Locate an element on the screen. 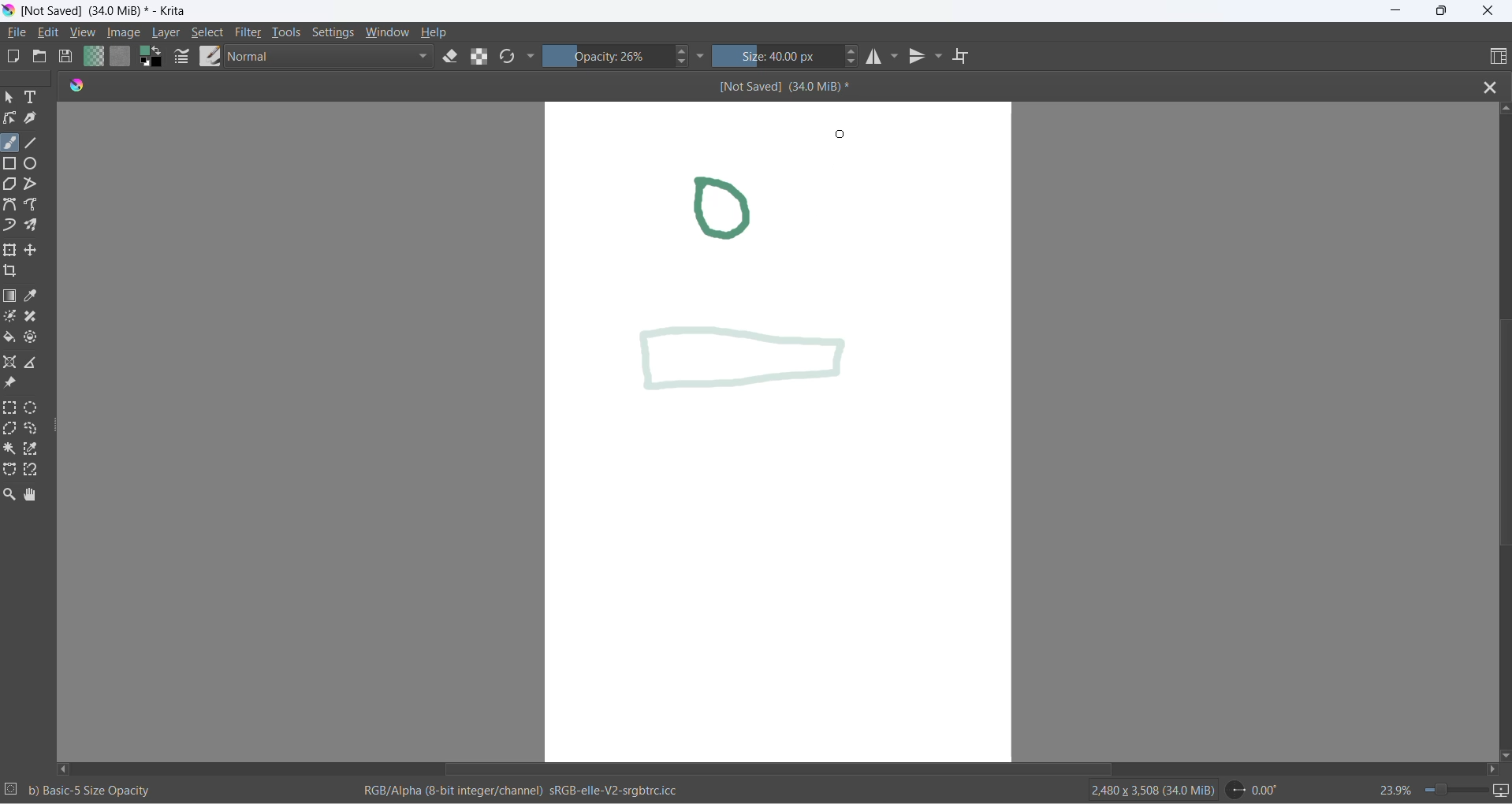 Image resolution: width=1512 pixels, height=804 pixels. smart patch tool is located at coordinates (36, 318).